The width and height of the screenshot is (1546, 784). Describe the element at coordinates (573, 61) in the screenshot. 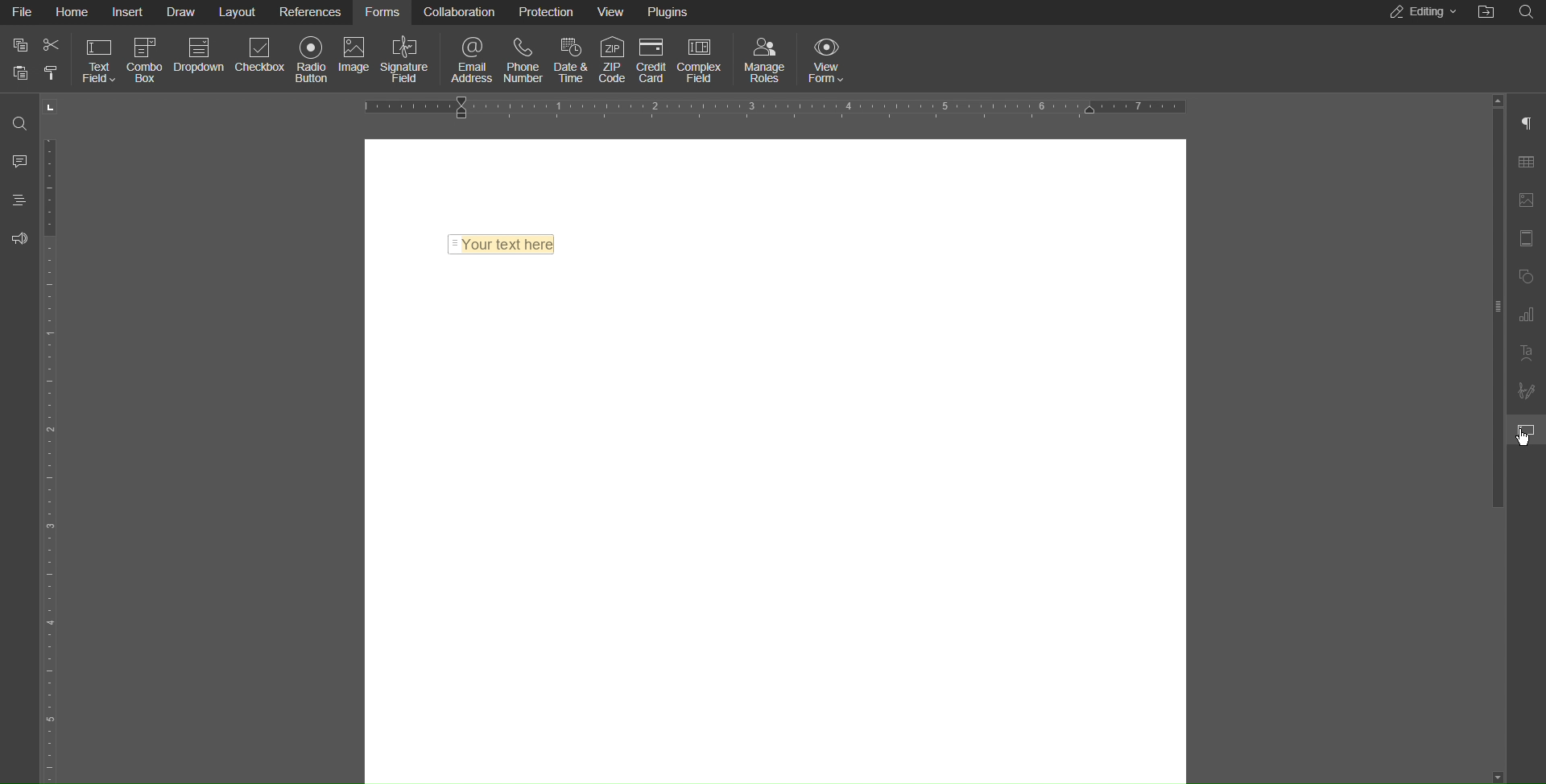

I see `Date & Time` at that location.